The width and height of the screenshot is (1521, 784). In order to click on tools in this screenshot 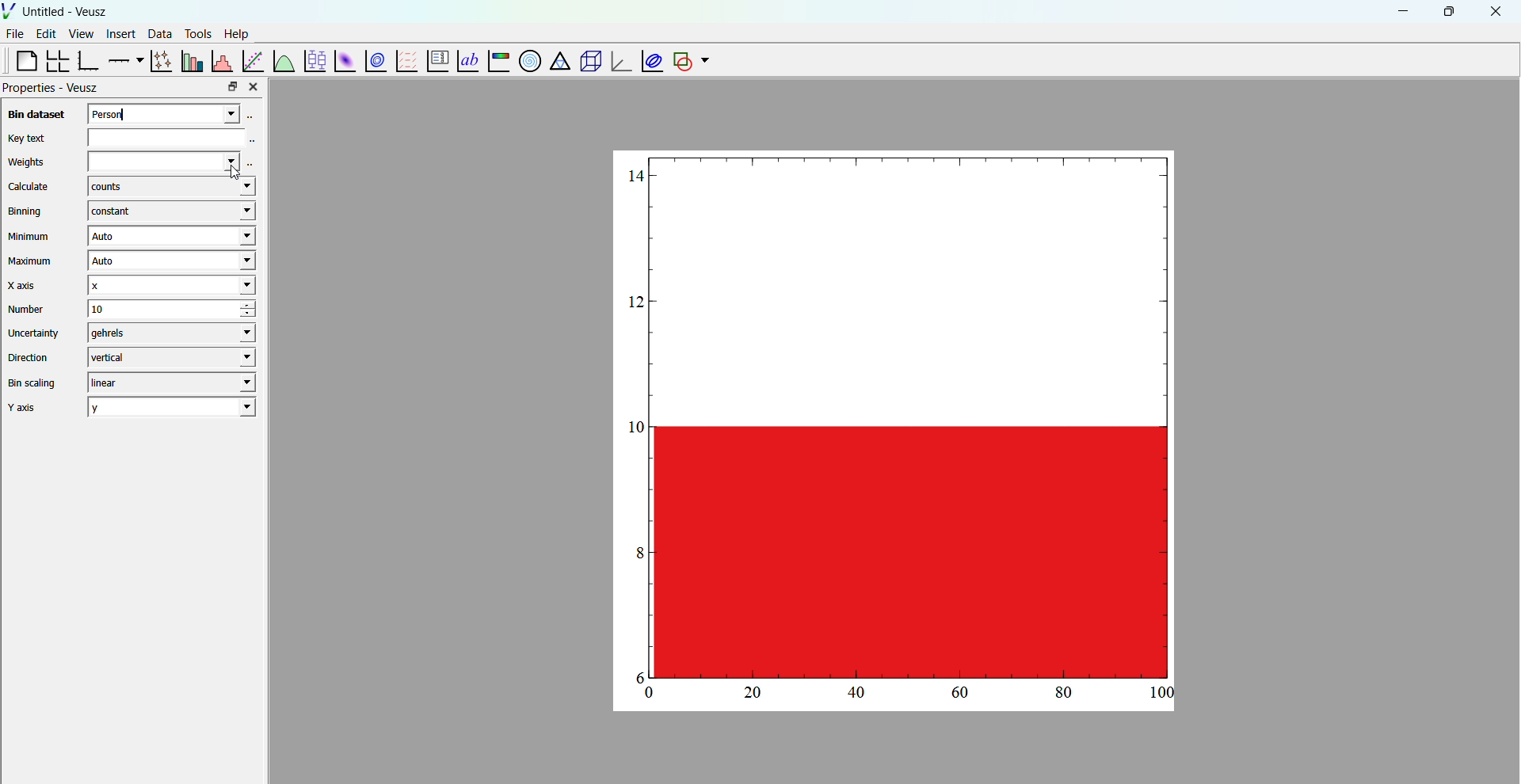, I will do `click(196, 33)`.